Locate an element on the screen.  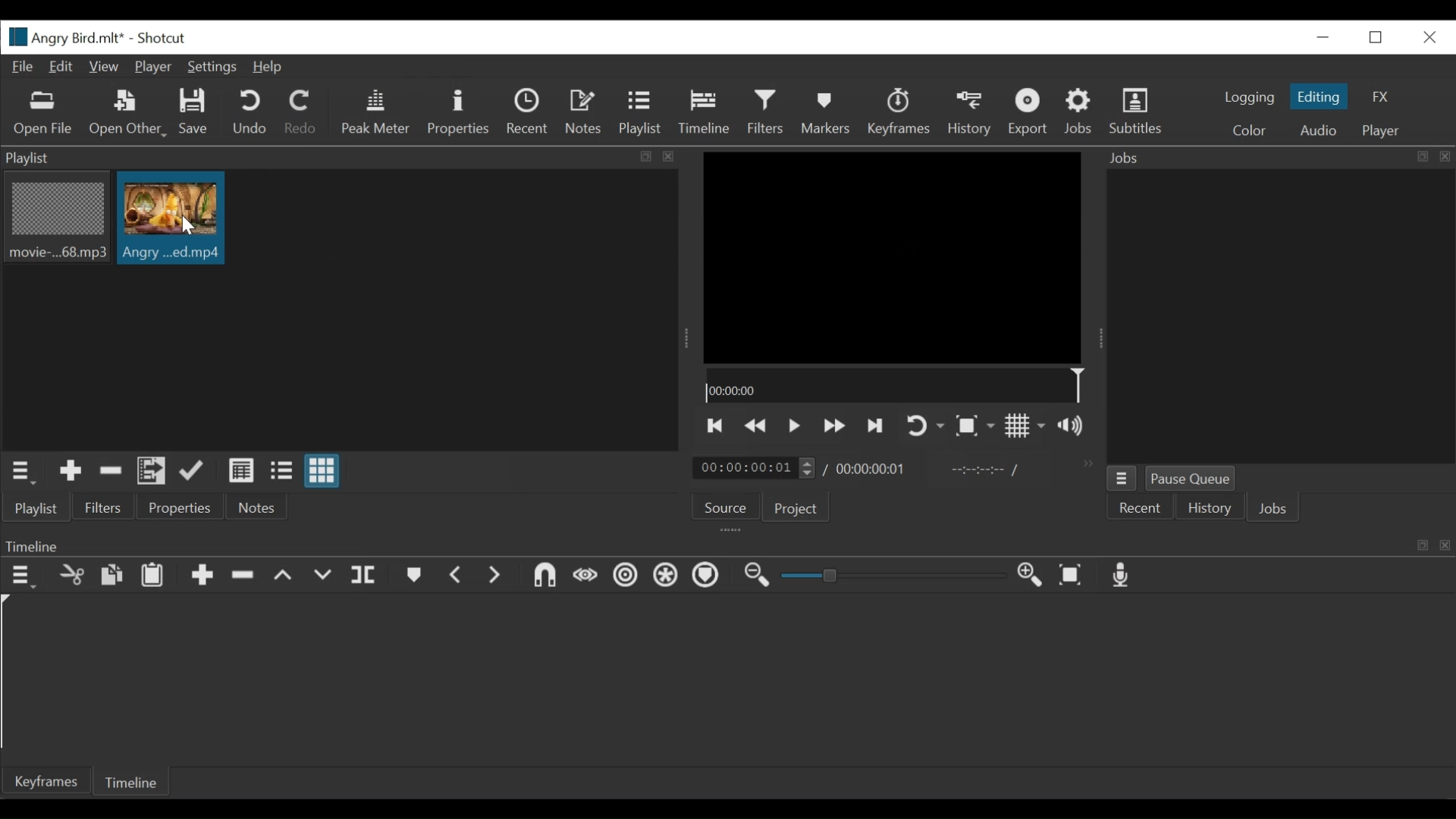
Jobs Menu is located at coordinates (1121, 479).